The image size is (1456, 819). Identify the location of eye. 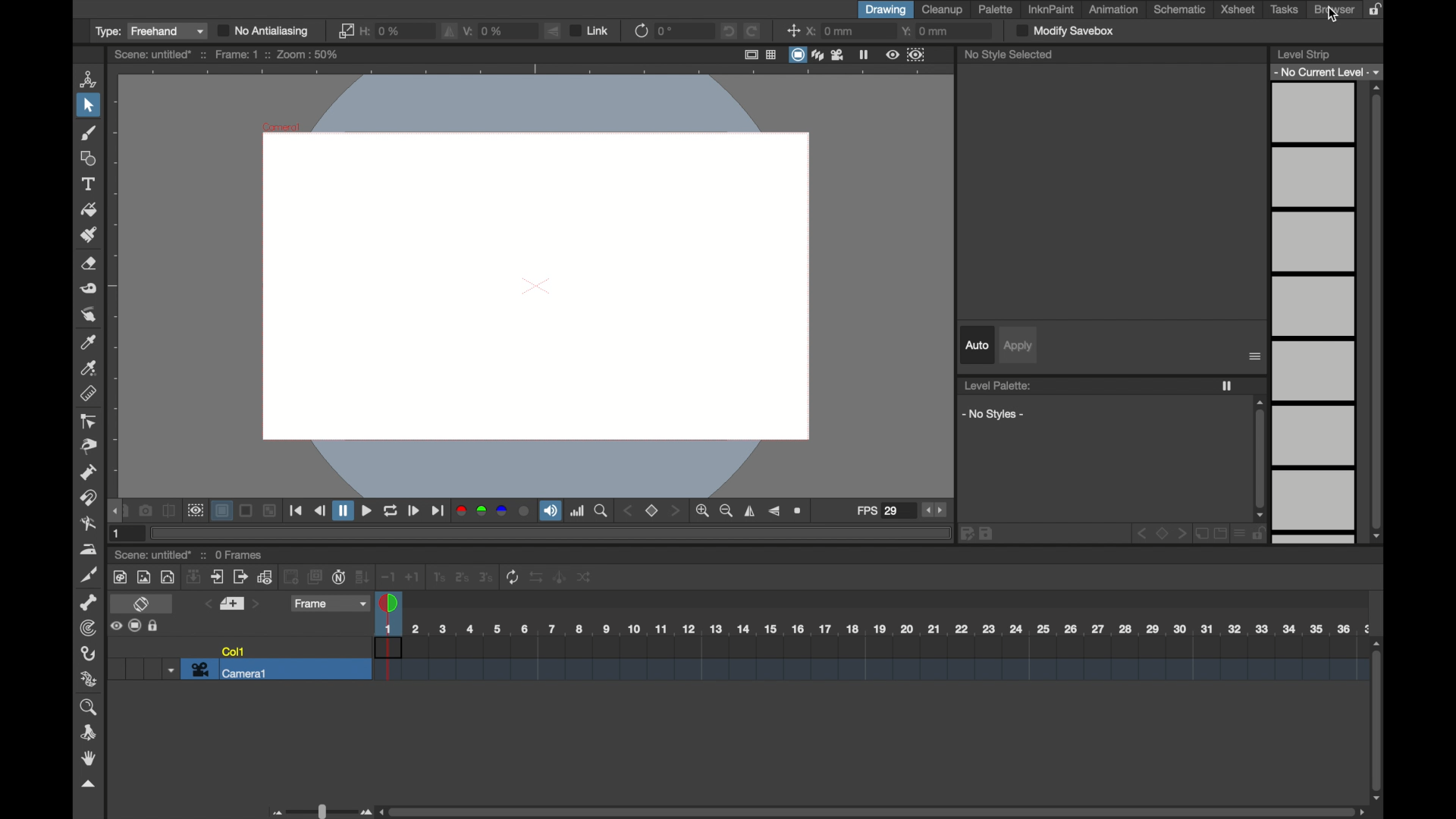
(116, 626).